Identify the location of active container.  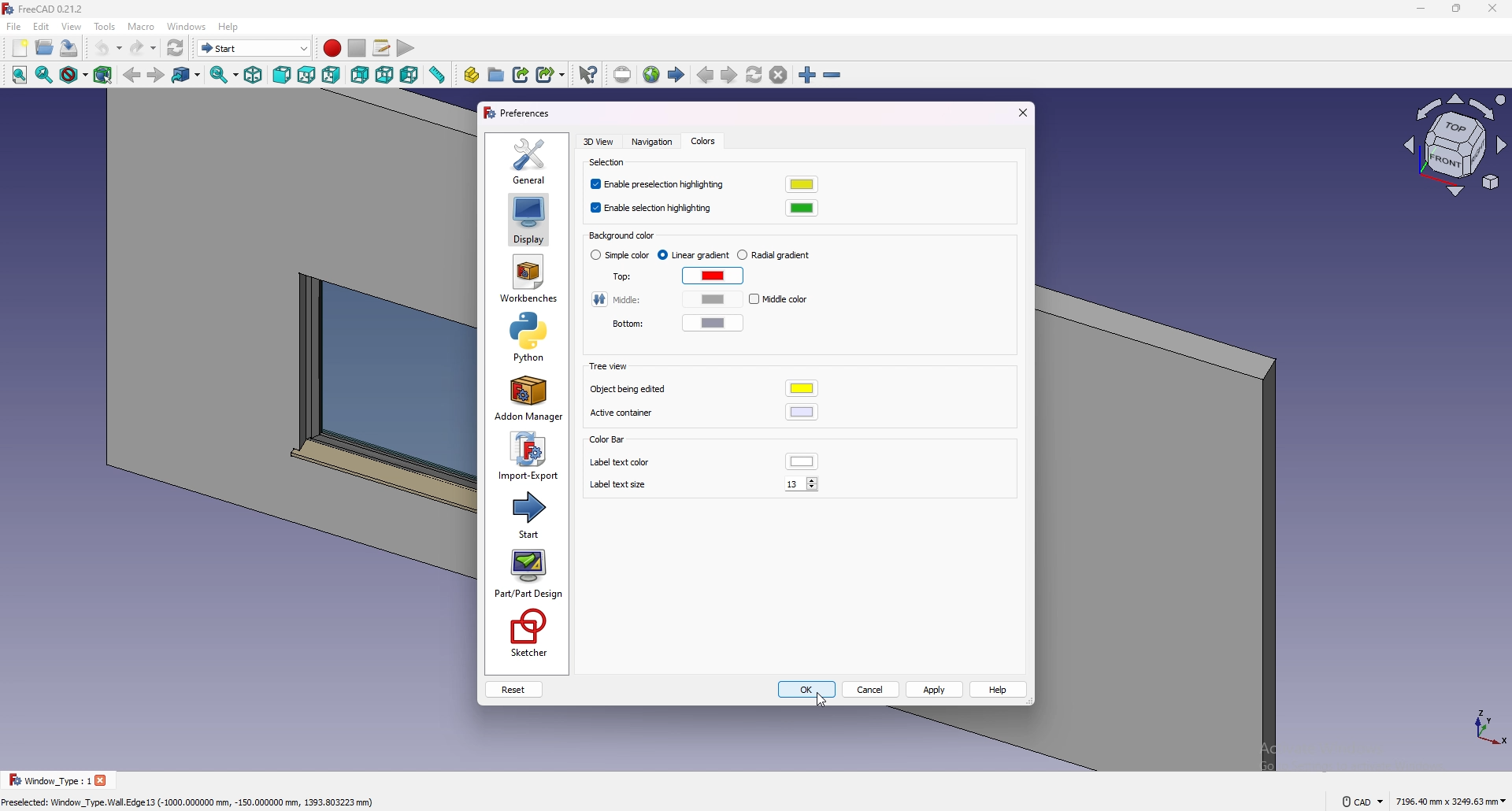
(630, 414).